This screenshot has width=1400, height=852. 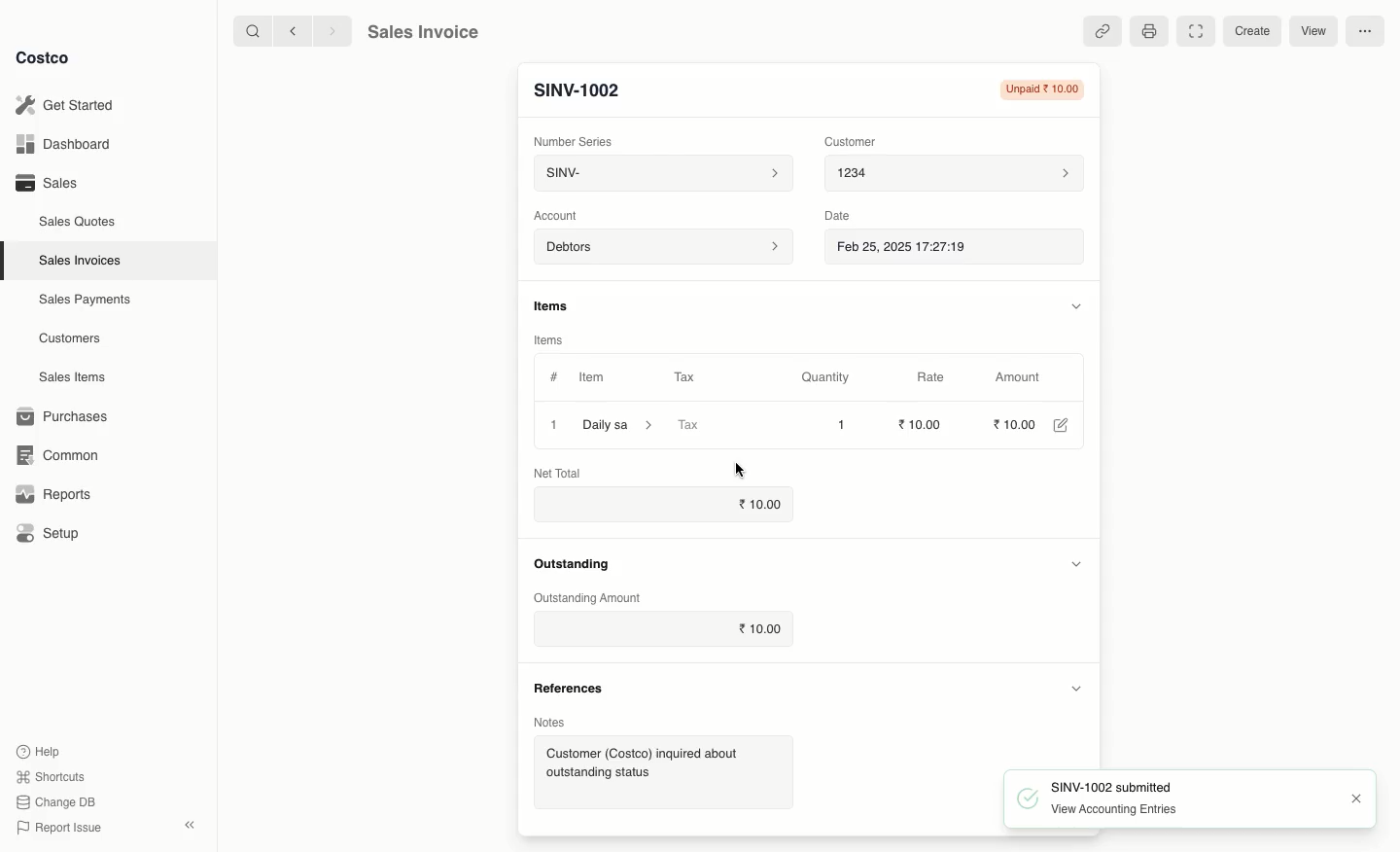 What do you see at coordinates (61, 828) in the screenshot?
I see `Report Issue` at bounding box center [61, 828].